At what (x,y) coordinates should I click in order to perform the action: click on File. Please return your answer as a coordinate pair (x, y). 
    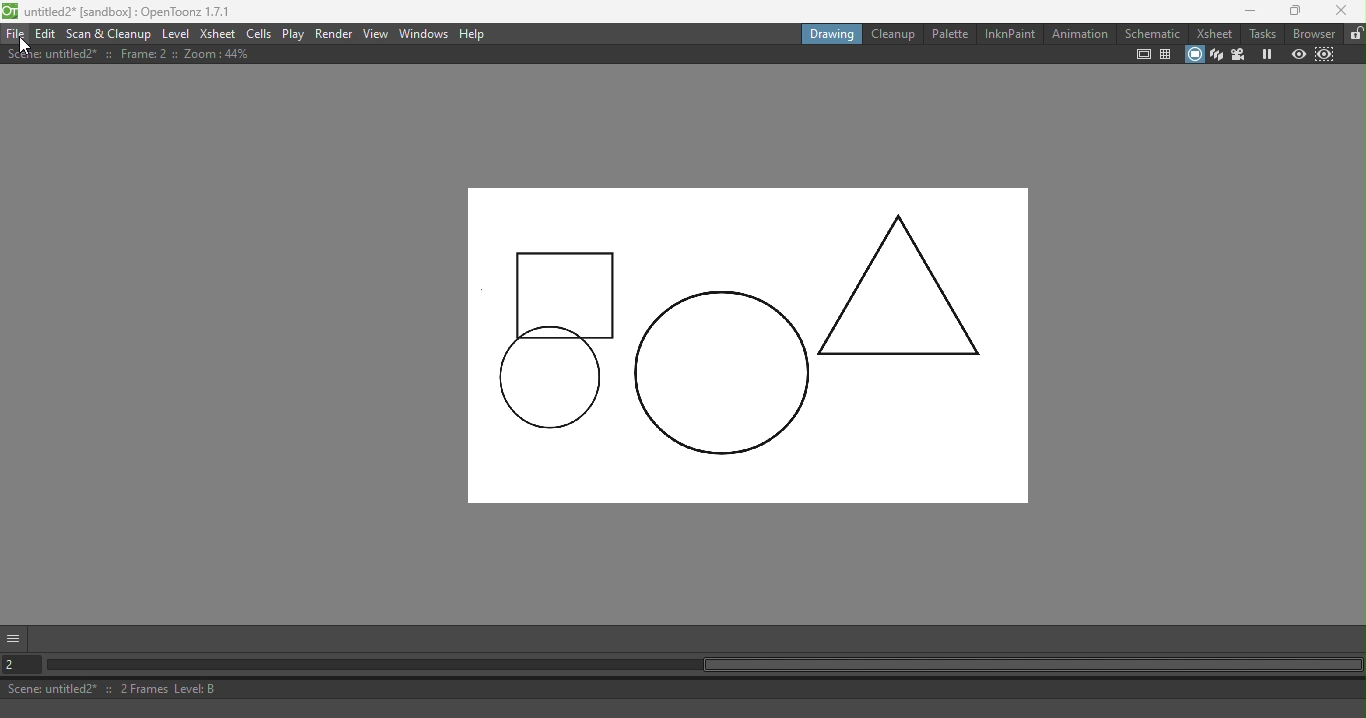
    Looking at the image, I should click on (15, 33).